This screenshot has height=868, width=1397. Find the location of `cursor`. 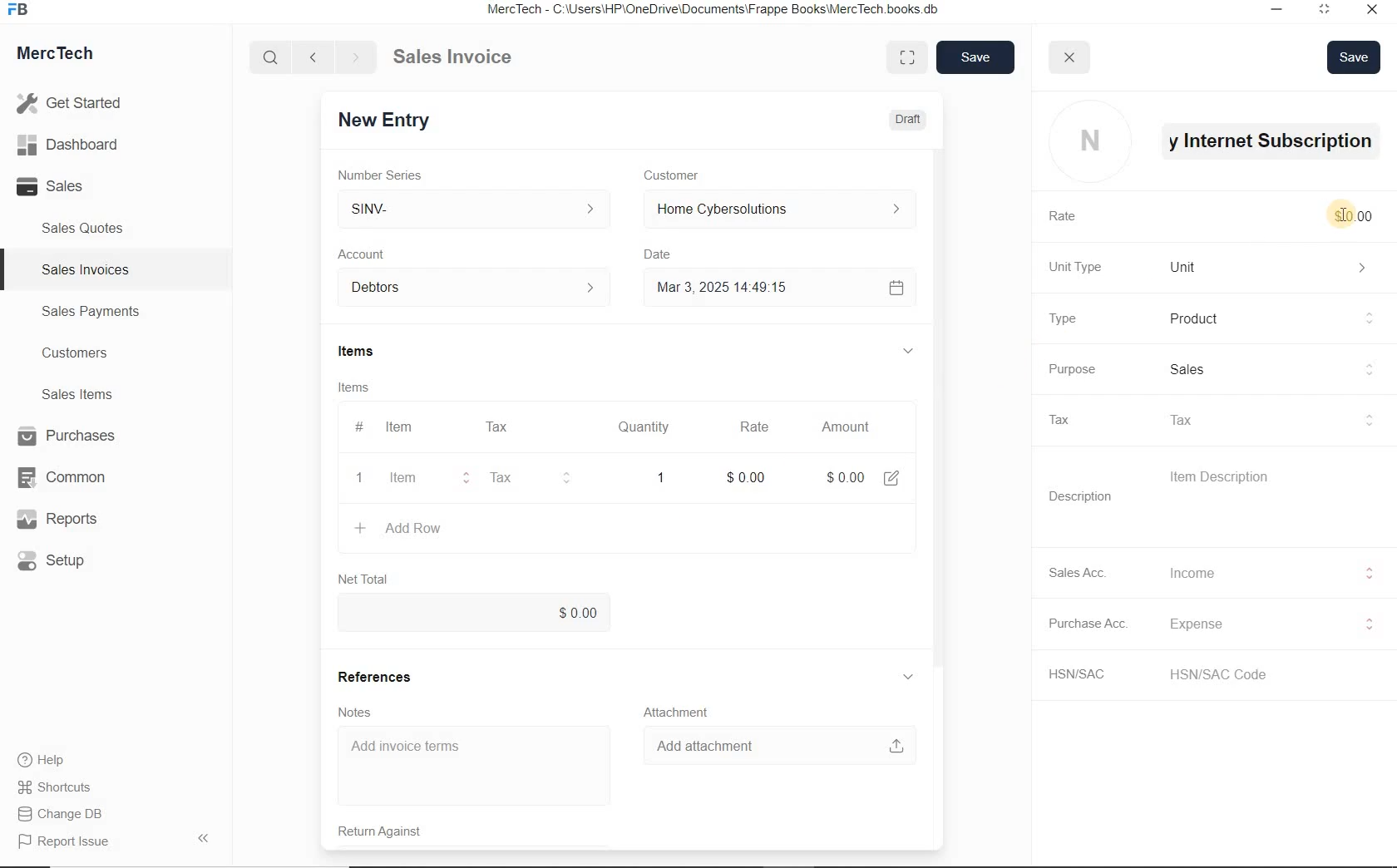

cursor is located at coordinates (1342, 213).